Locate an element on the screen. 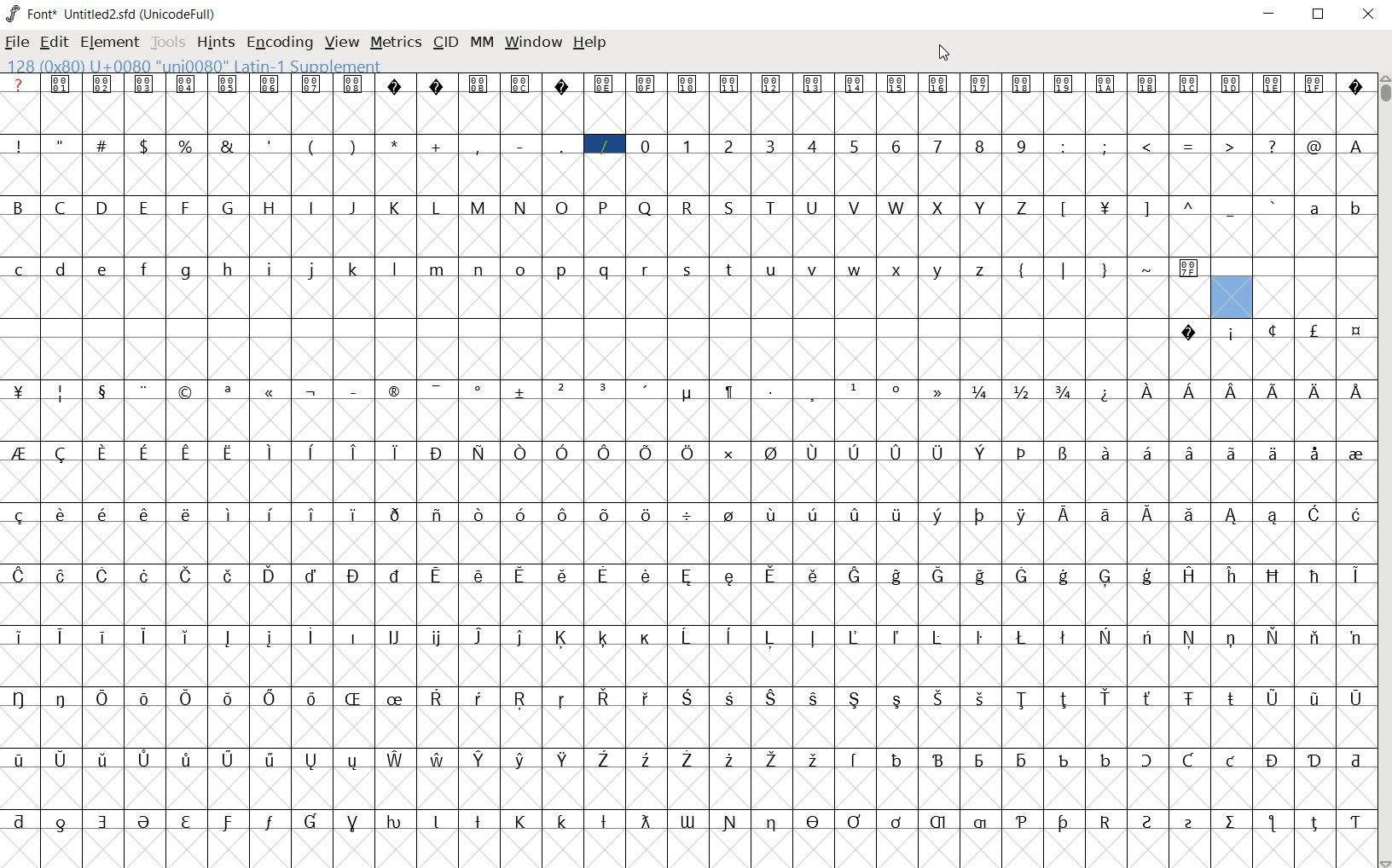  glyph is located at coordinates (896, 515).